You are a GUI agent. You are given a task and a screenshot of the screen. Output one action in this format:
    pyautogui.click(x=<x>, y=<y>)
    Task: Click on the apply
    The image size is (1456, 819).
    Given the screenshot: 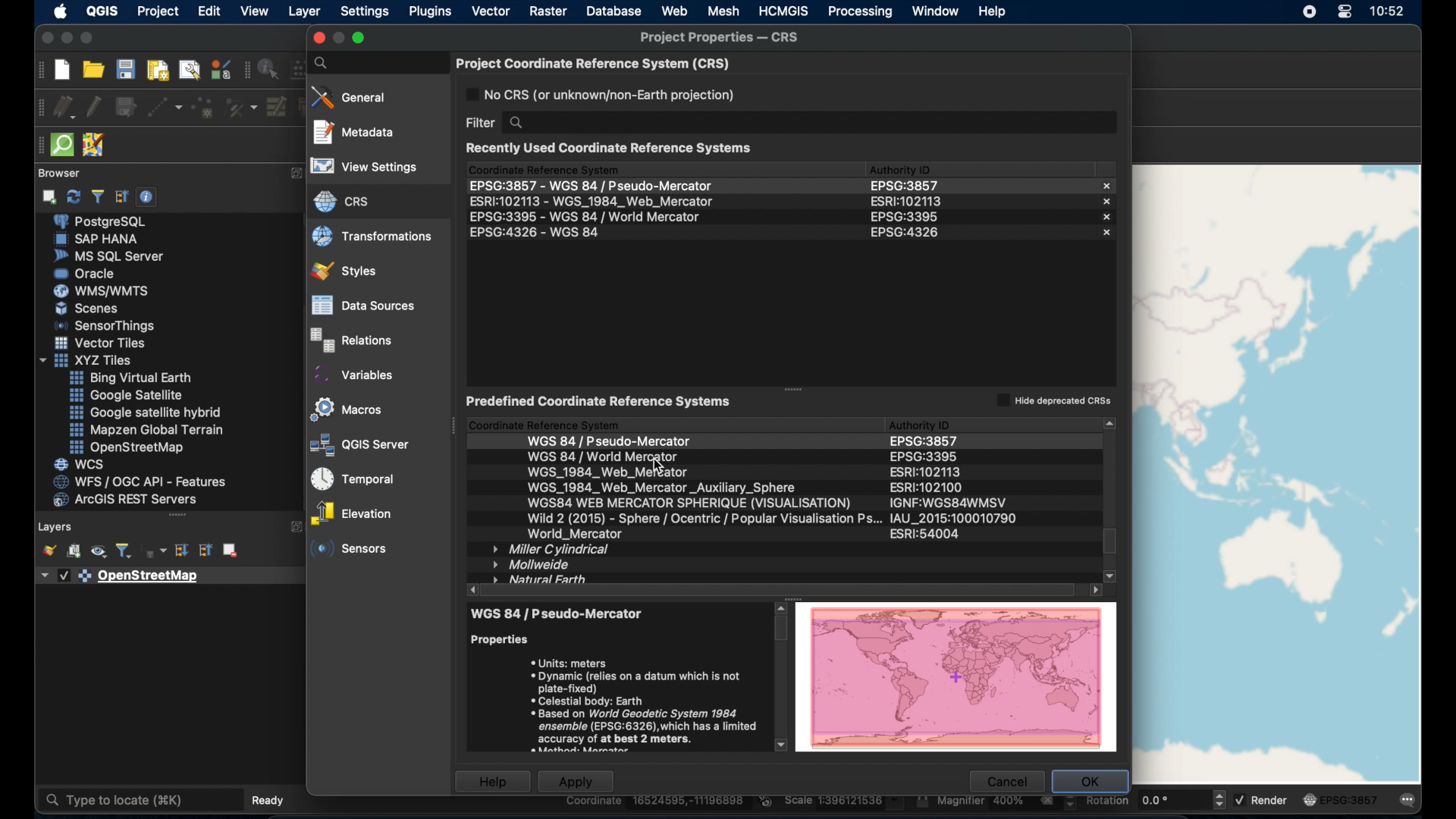 What is the action you would take?
    pyautogui.click(x=579, y=782)
    